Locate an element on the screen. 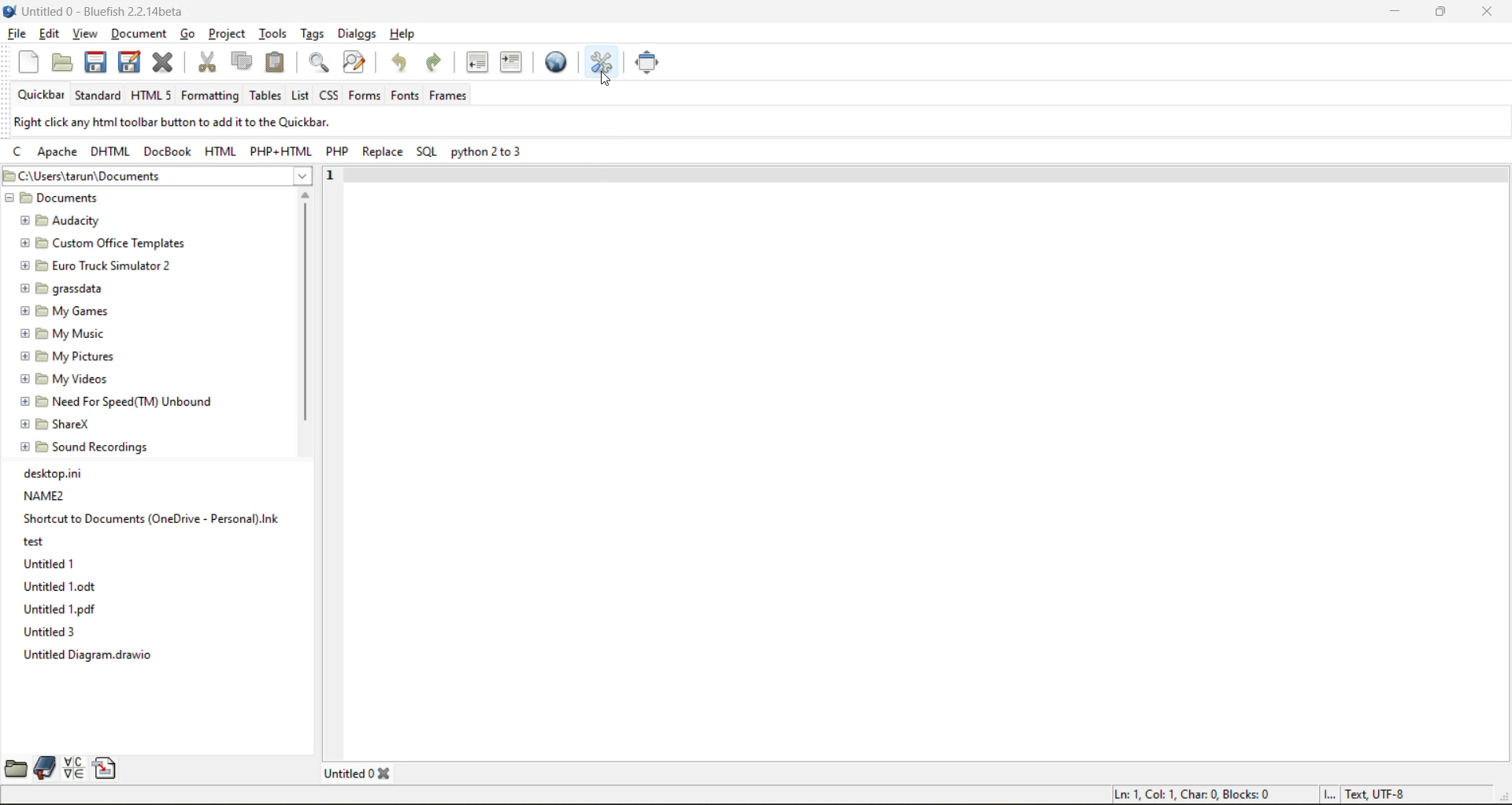  formatting is located at coordinates (210, 97).